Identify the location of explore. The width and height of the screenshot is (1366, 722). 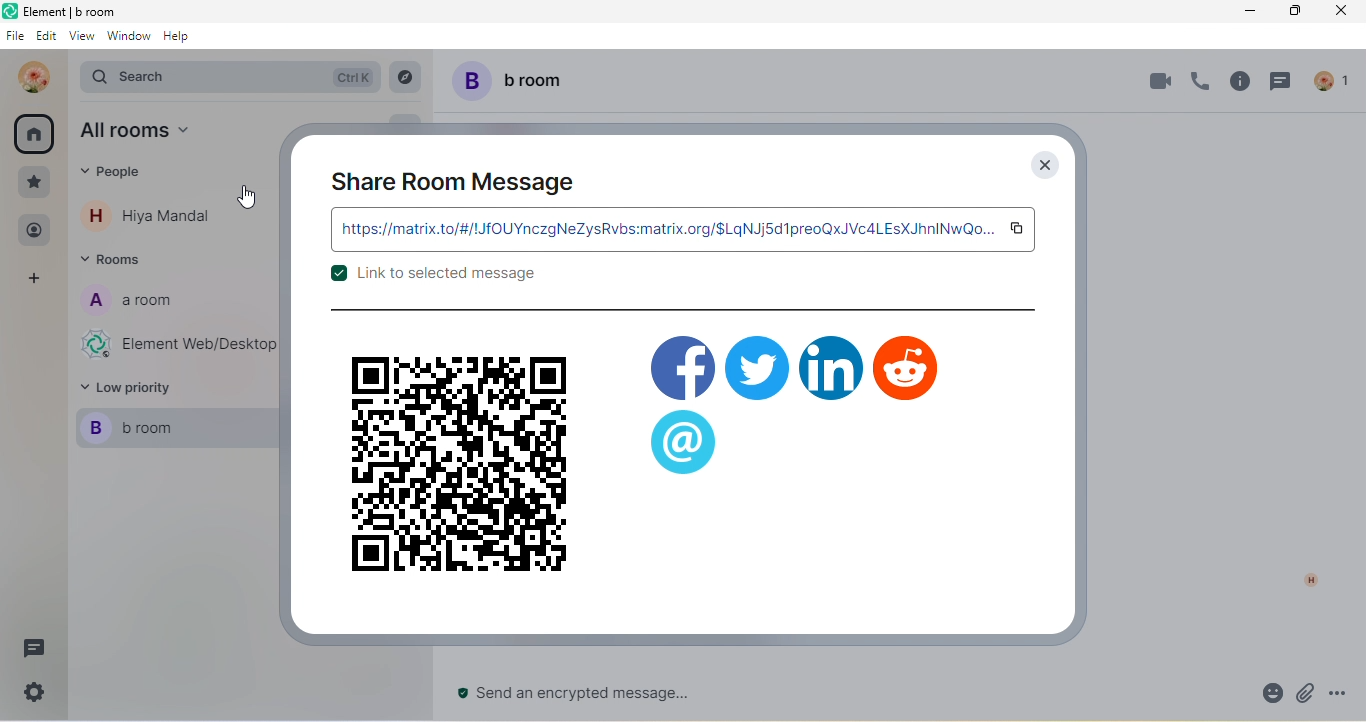
(406, 77).